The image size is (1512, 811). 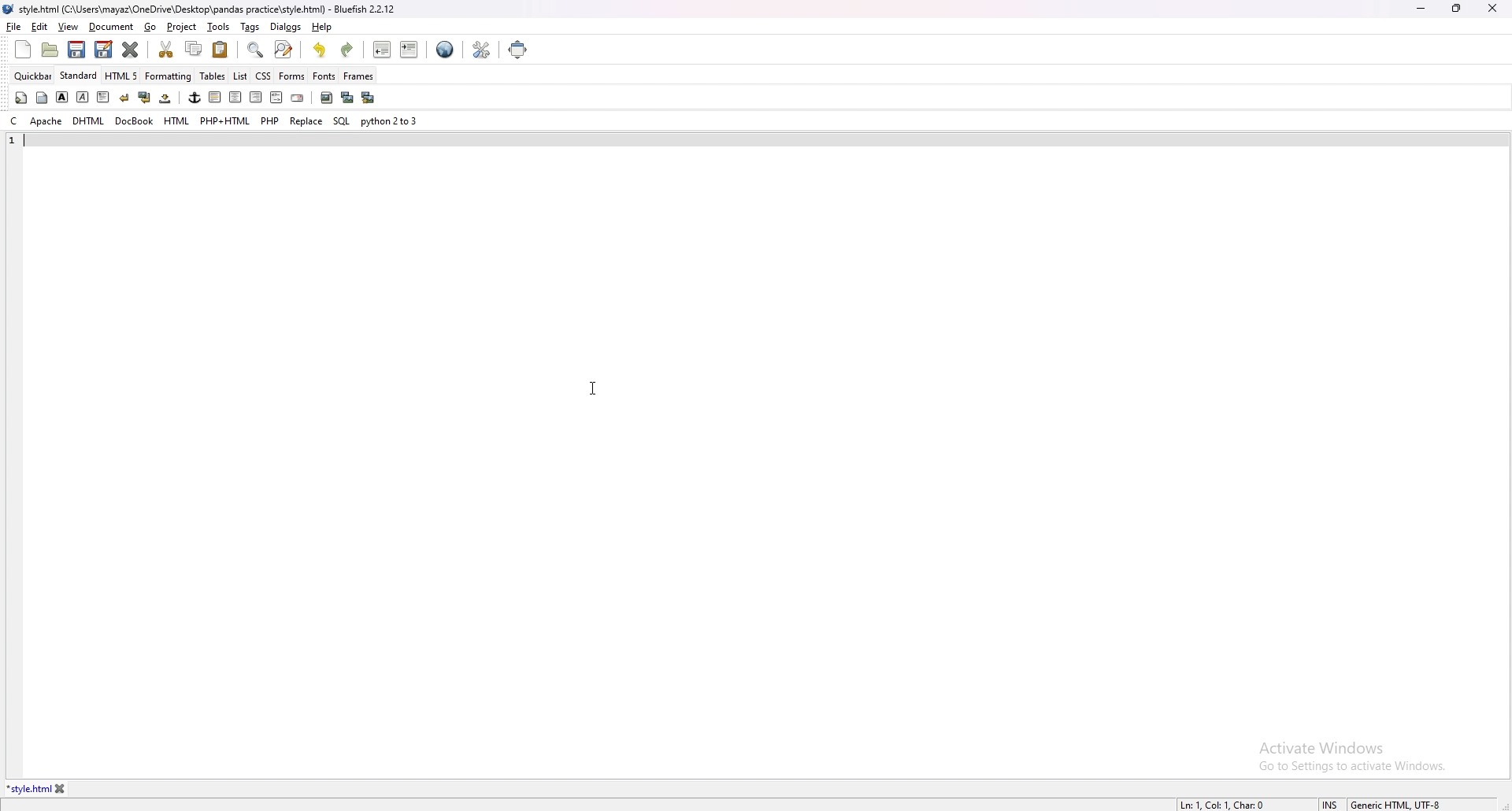 What do you see at coordinates (213, 97) in the screenshot?
I see `left indent` at bounding box center [213, 97].